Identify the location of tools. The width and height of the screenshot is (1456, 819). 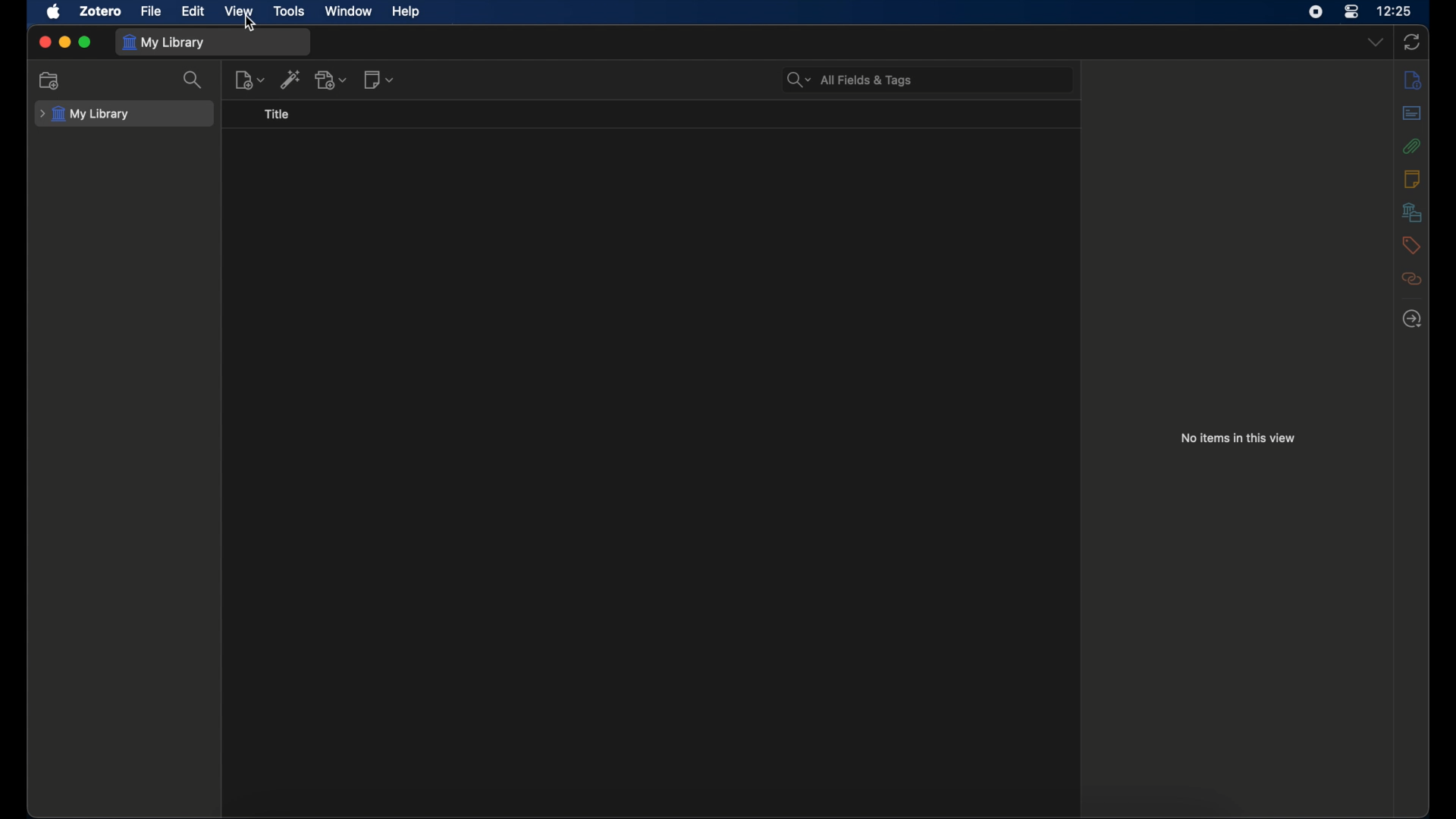
(290, 11).